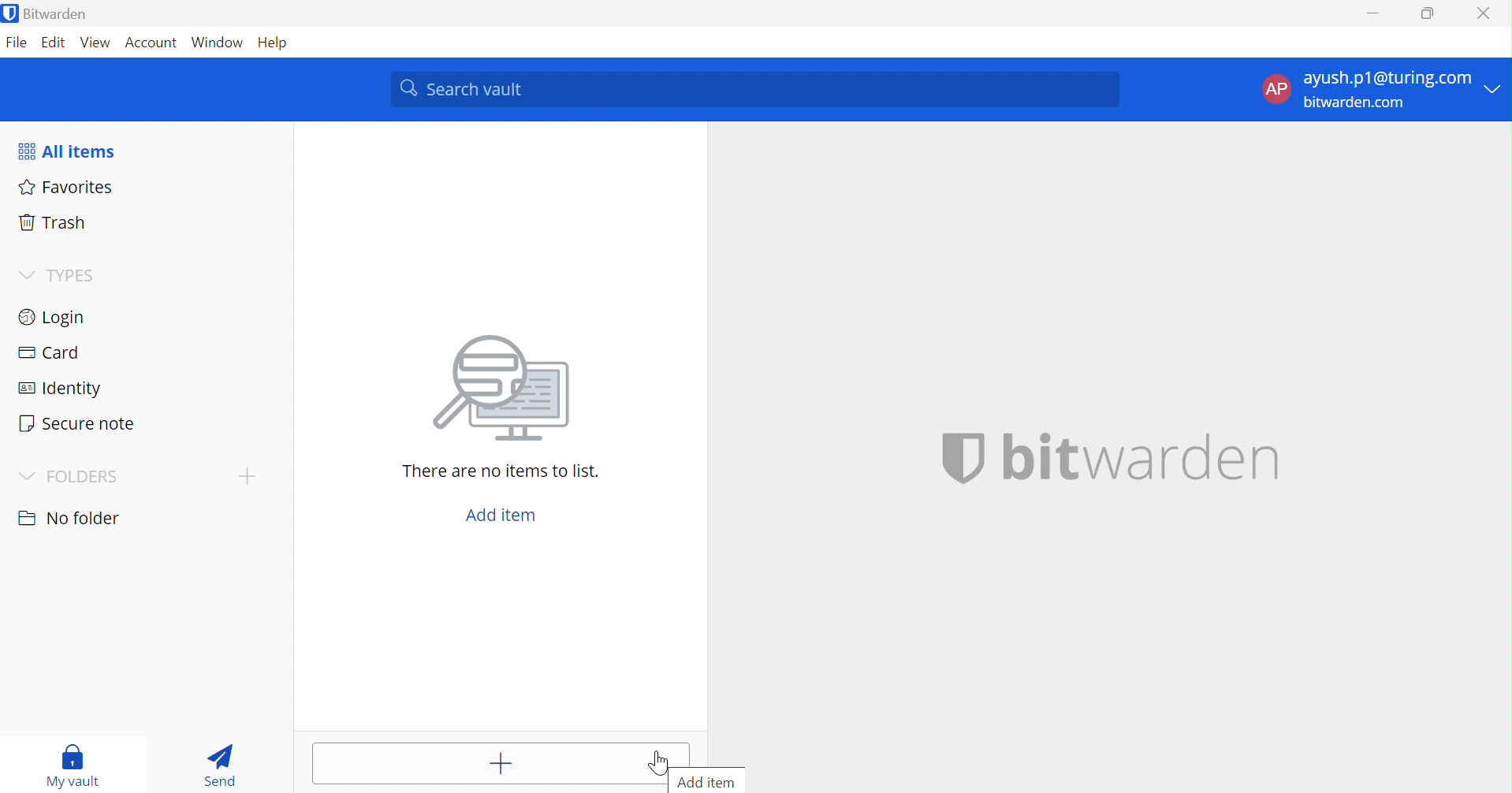 This screenshot has height=793, width=1512. I want to click on TYPES, so click(76, 275).